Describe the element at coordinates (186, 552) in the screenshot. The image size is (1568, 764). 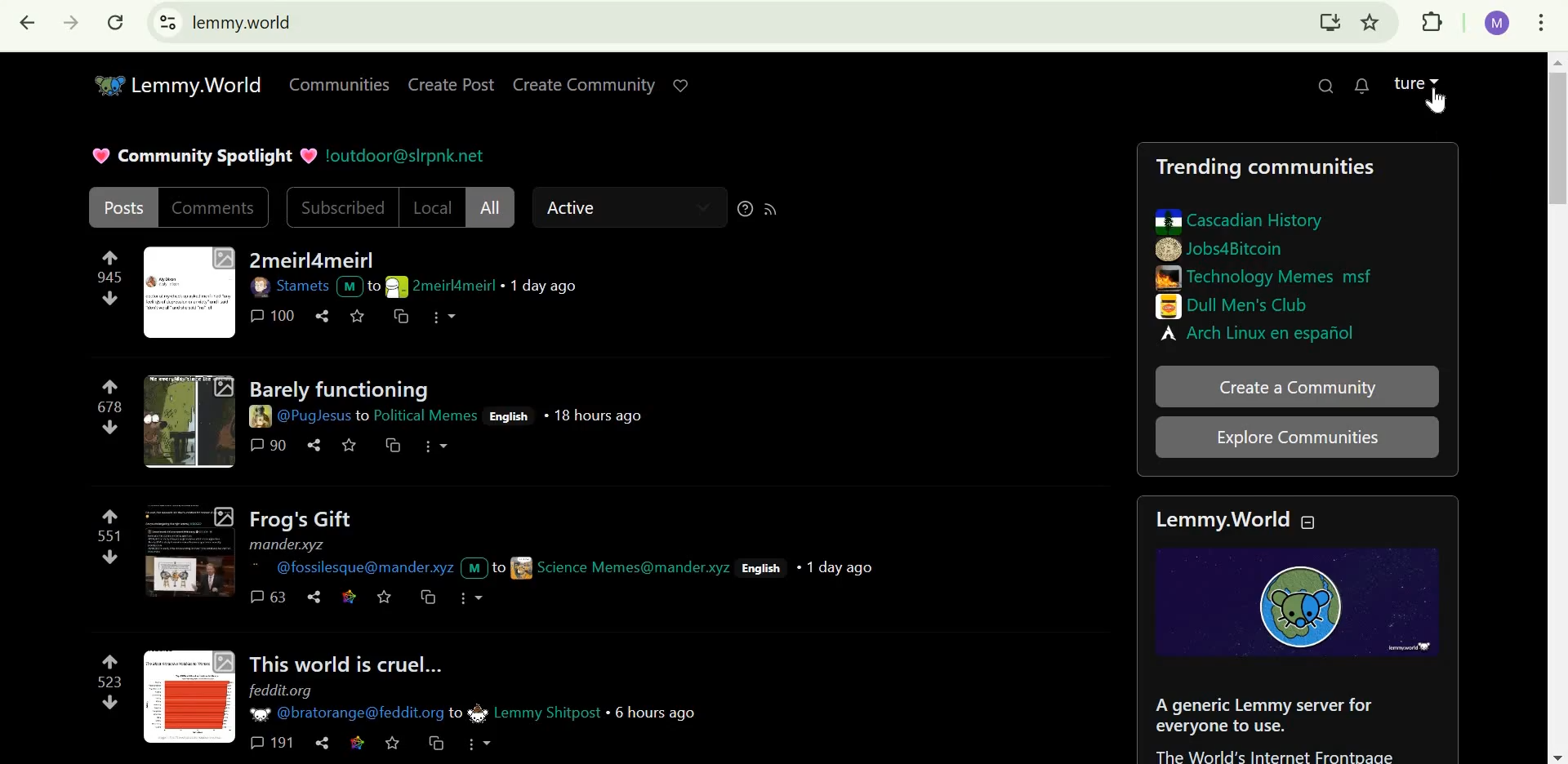
I see `thumbnail-3` at that location.